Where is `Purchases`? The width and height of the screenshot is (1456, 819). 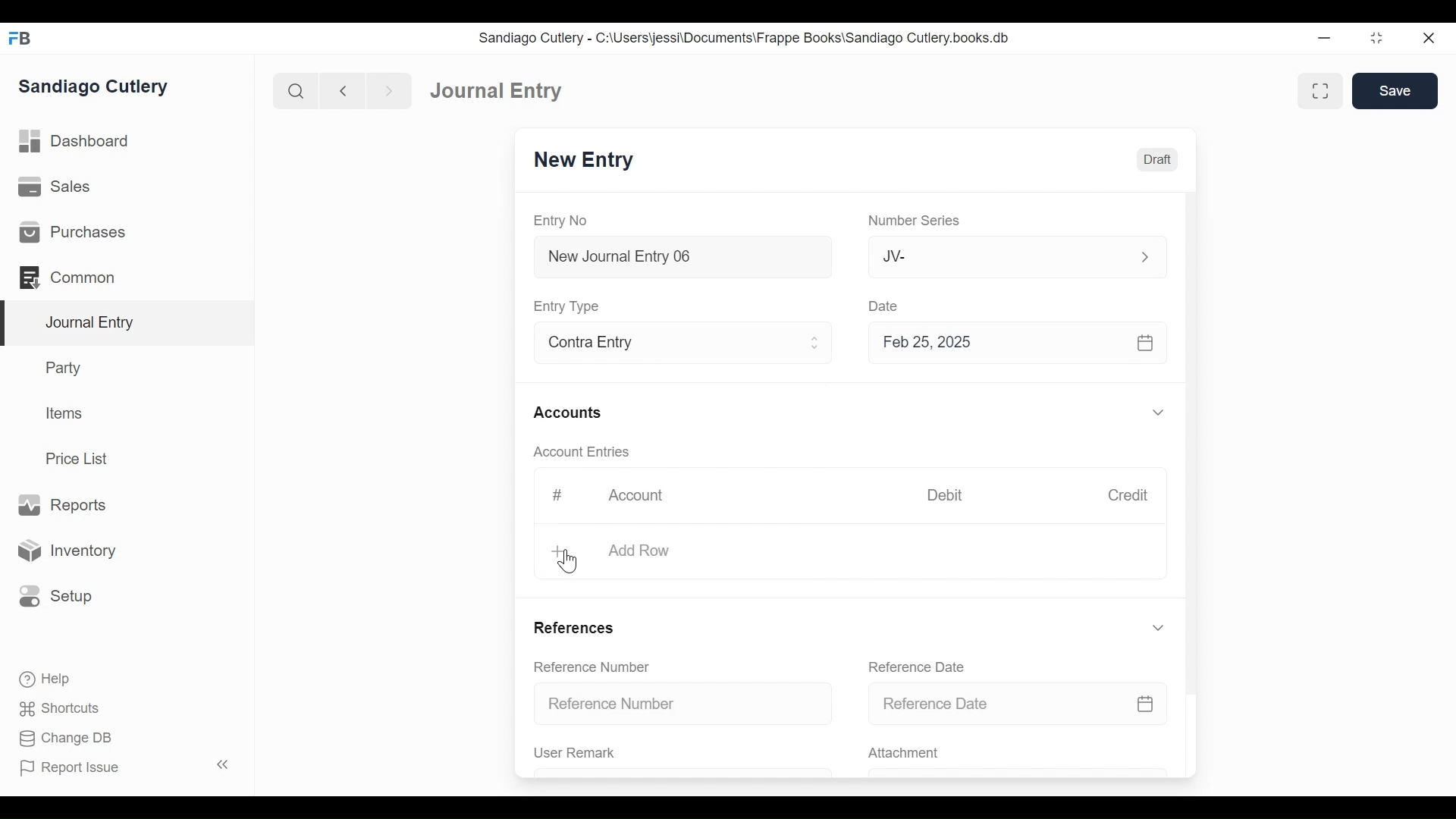 Purchases is located at coordinates (71, 232).